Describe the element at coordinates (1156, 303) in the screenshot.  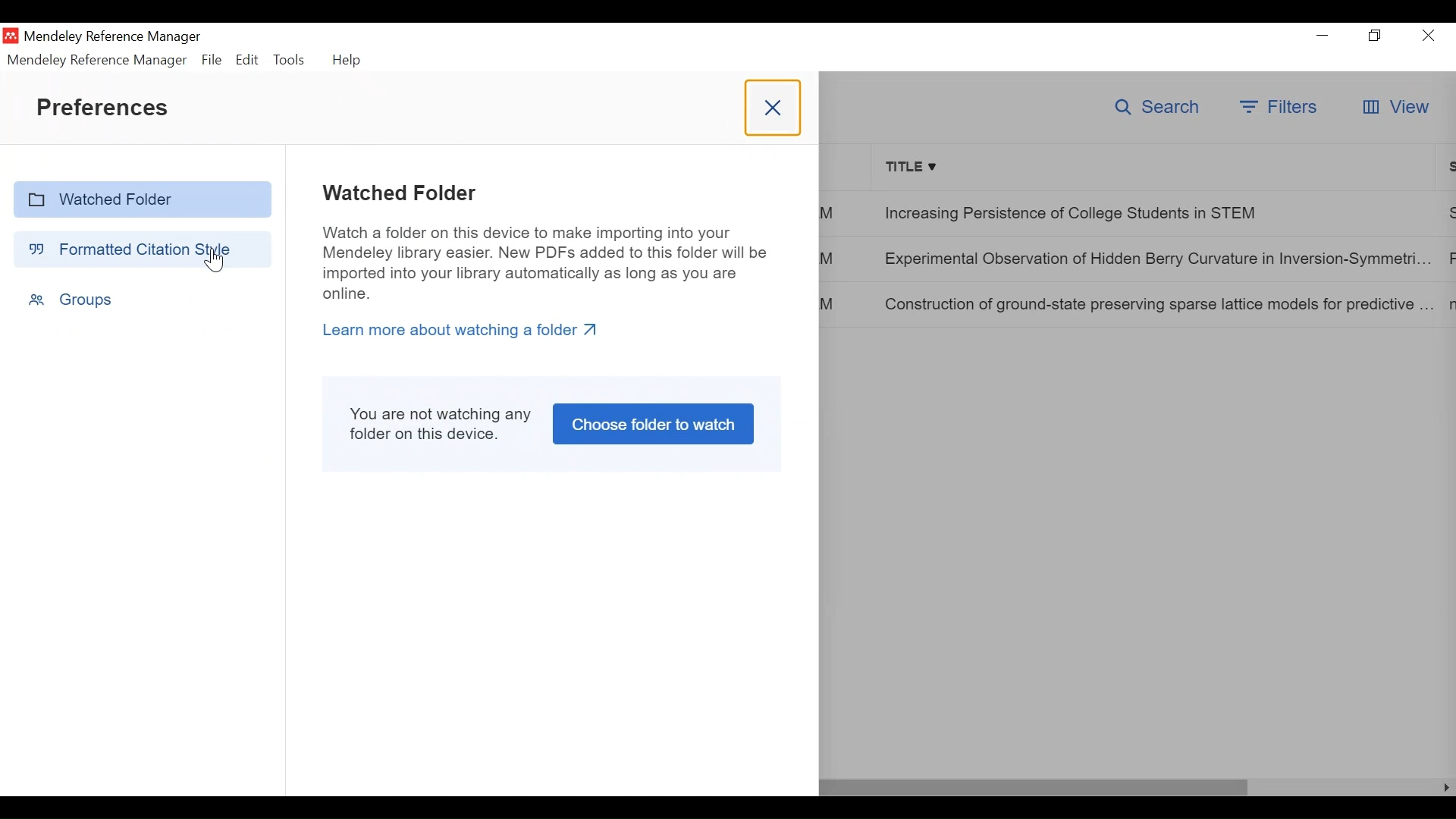
I see `Construction of ground-state preserving sparse lattice models for predictive` at that location.